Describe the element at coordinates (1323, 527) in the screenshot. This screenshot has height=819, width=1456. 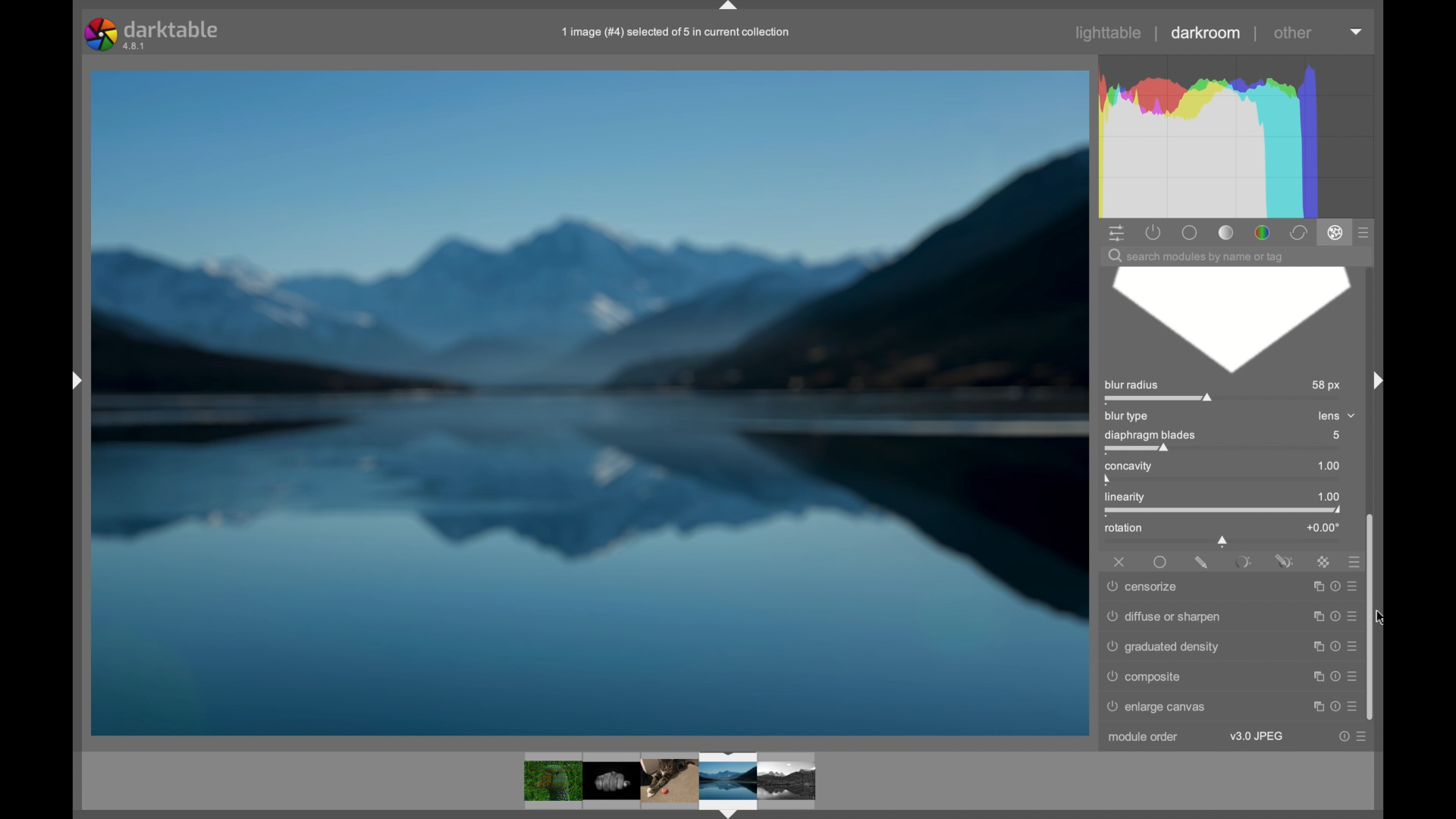
I see `+0.00` at that location.